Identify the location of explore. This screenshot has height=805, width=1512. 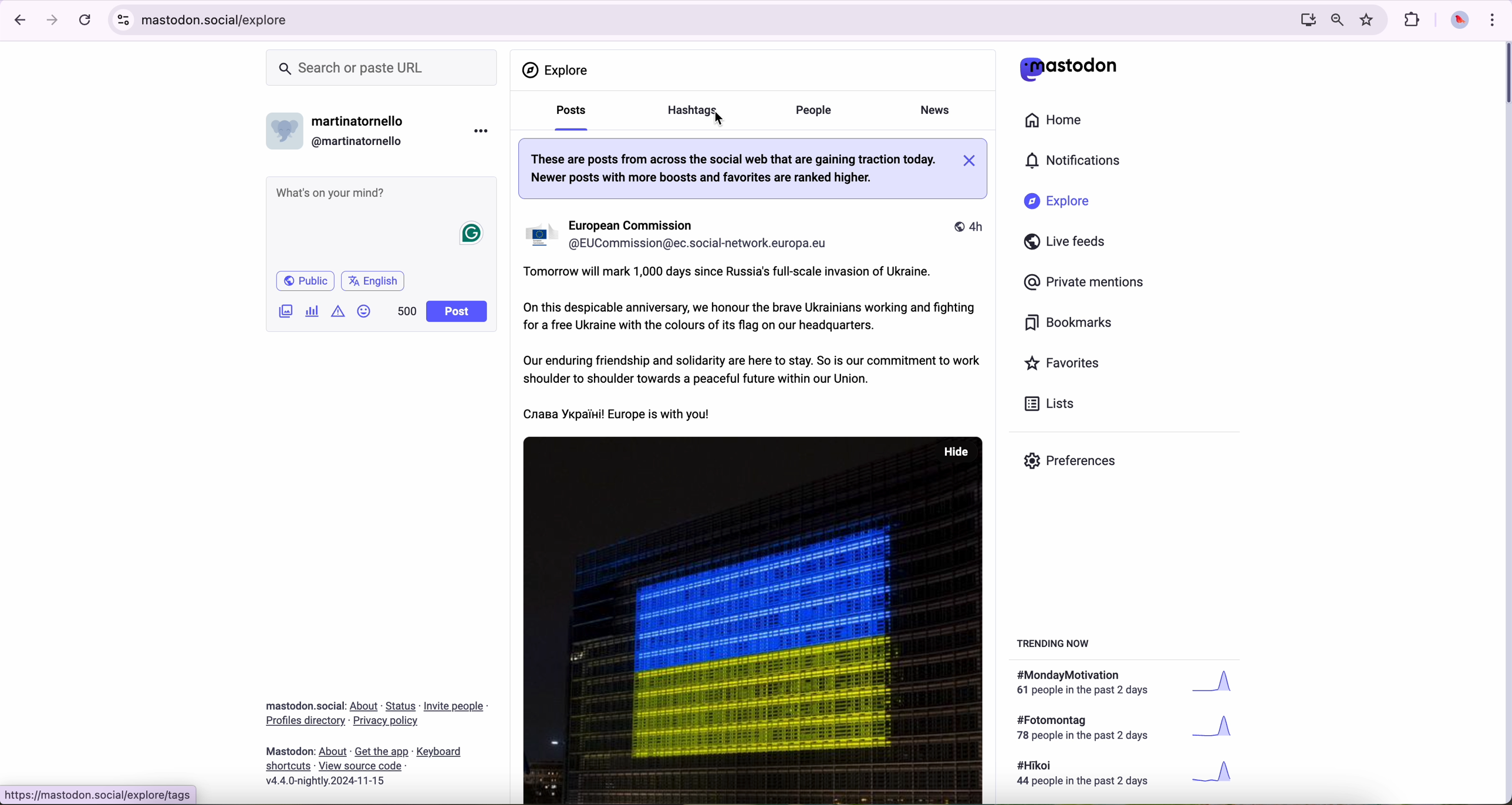
(1059, 202).